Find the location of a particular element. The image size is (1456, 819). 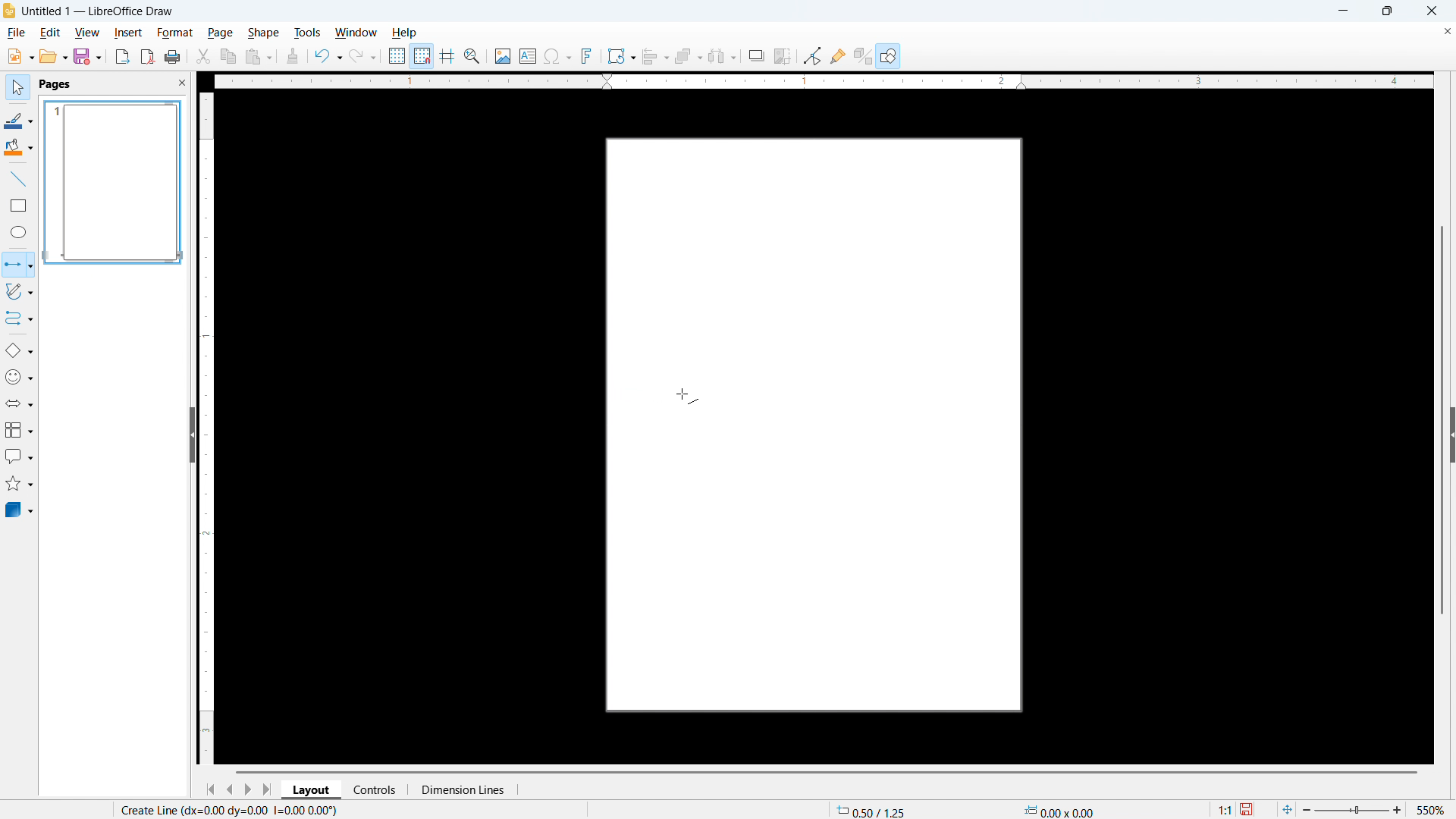

show Glue Point functions  is located at coordinates (837, 55).